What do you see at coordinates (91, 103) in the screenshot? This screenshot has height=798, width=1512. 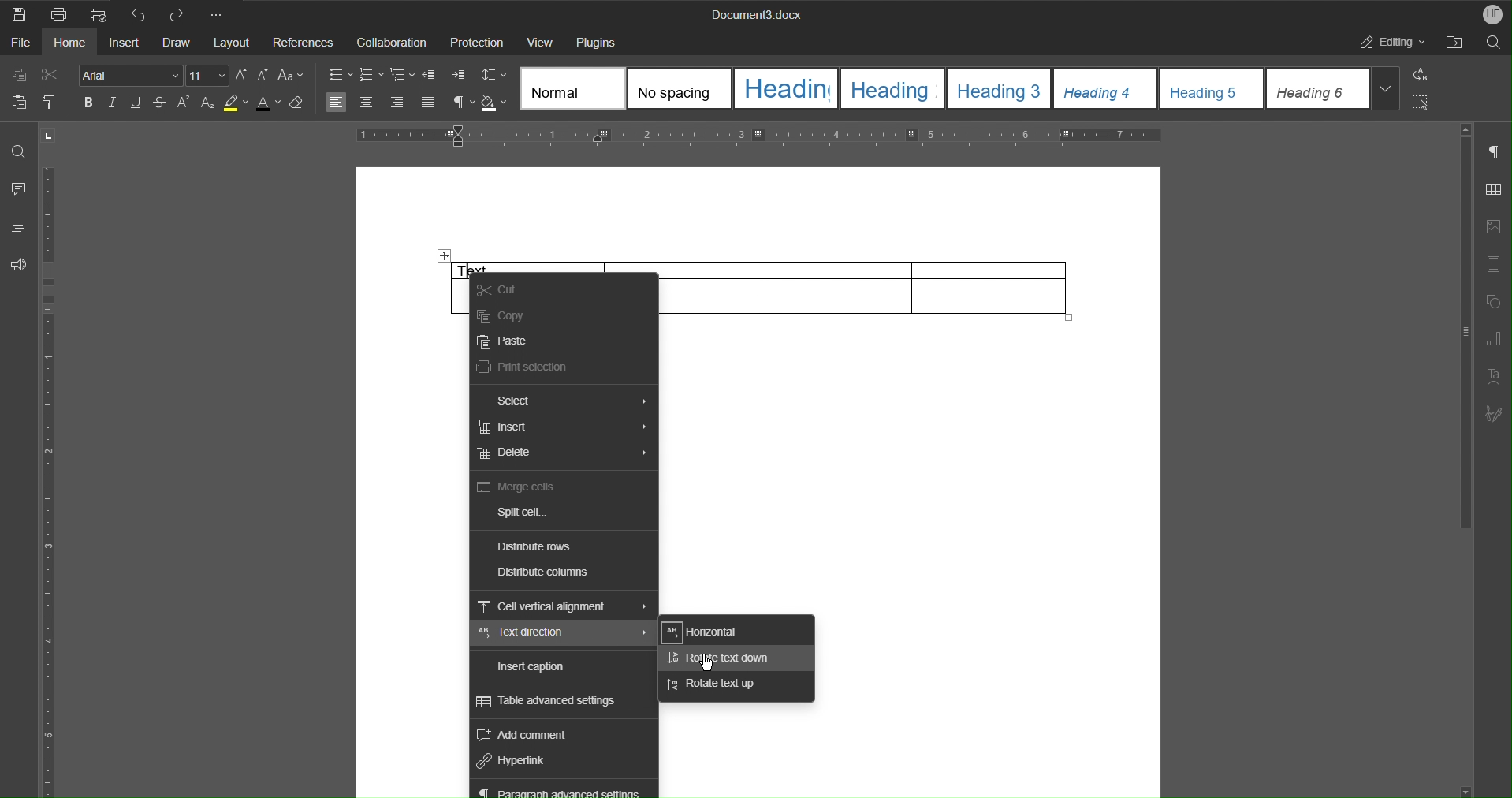 I see `Bold` at bounding box center [91, 103].